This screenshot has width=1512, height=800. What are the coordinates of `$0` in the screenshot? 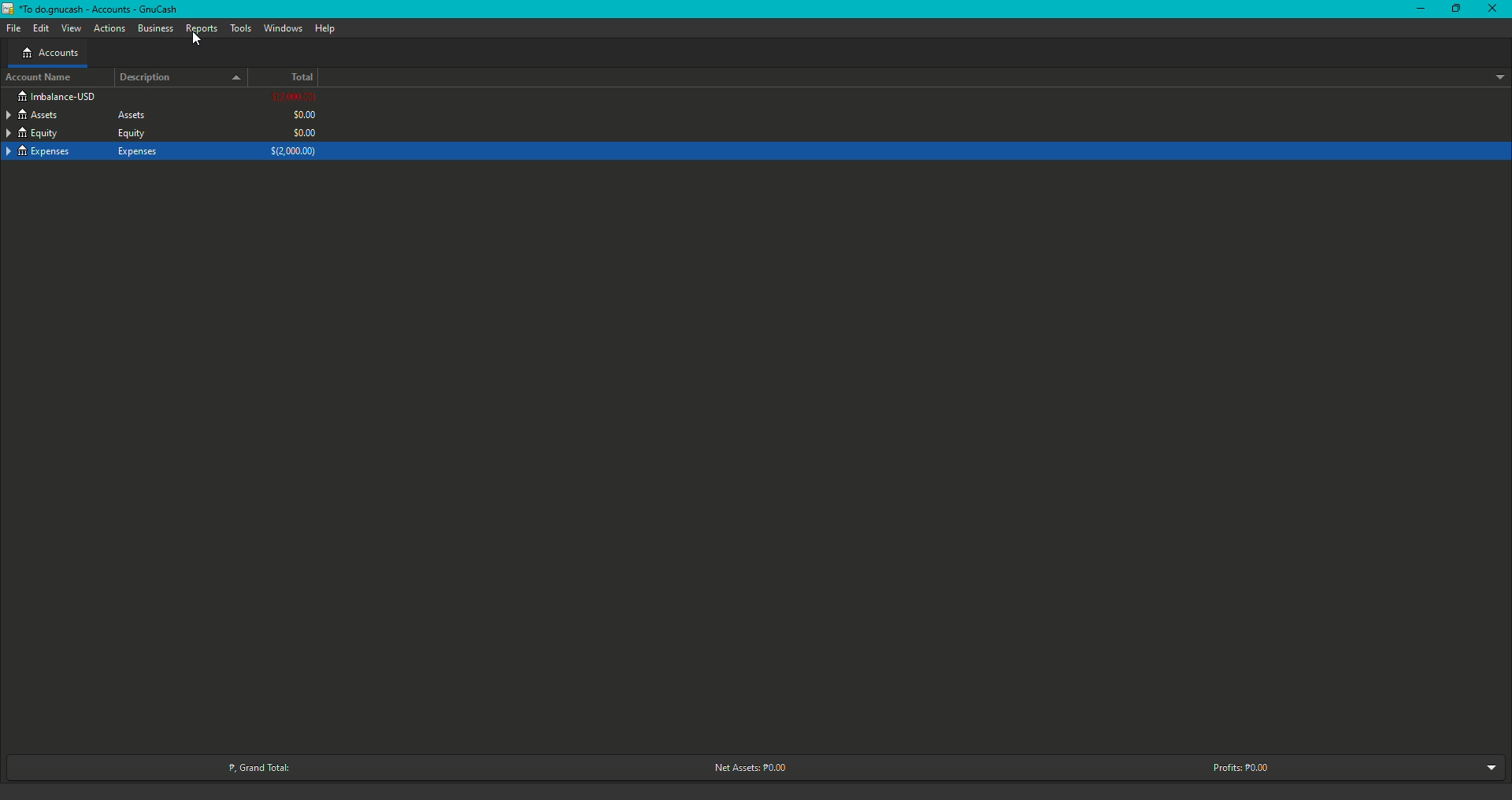 It's located at (308, 123).